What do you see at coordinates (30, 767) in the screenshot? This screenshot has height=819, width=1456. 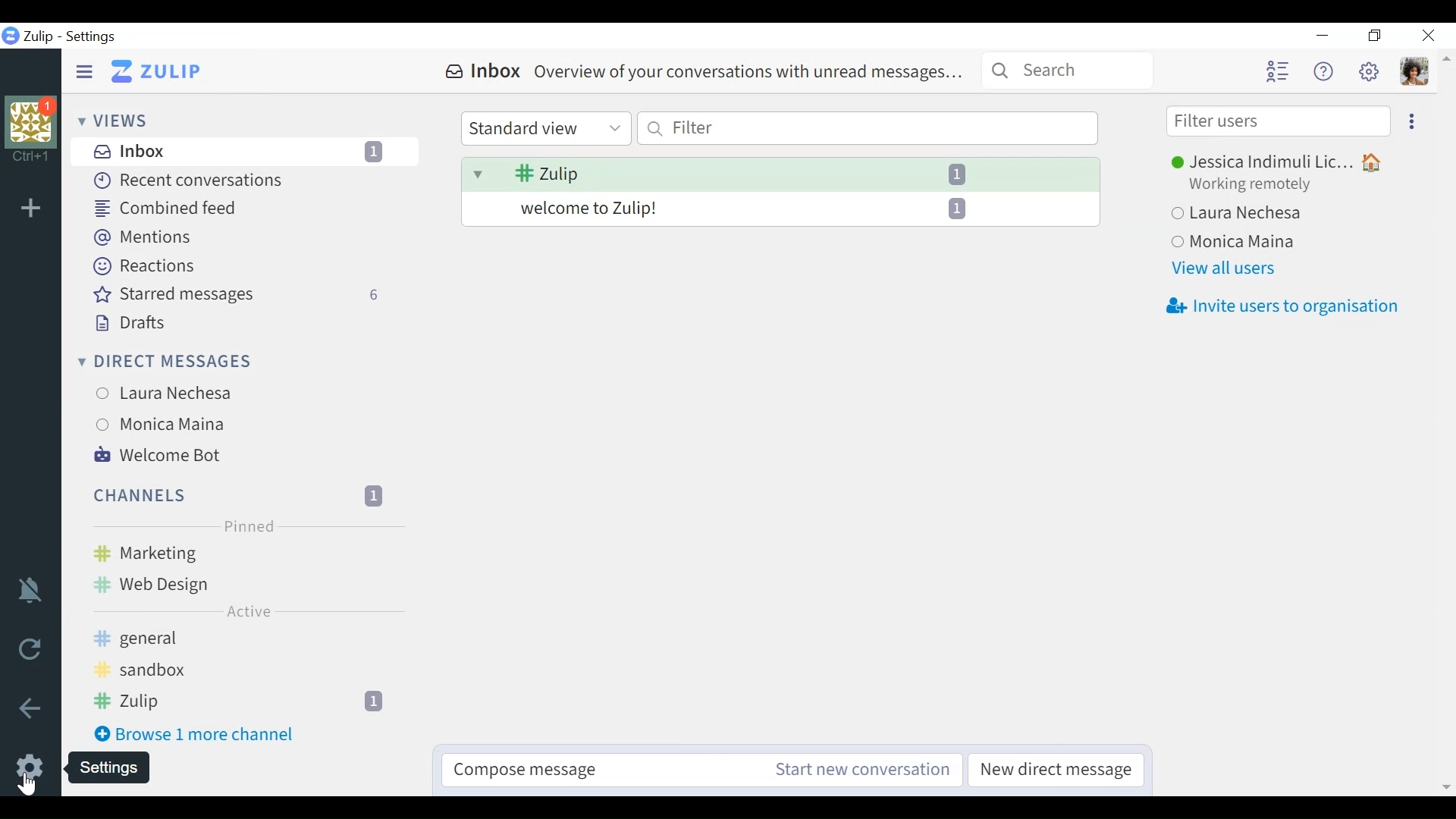 I see `Settings` at bounding box center [30, 767].